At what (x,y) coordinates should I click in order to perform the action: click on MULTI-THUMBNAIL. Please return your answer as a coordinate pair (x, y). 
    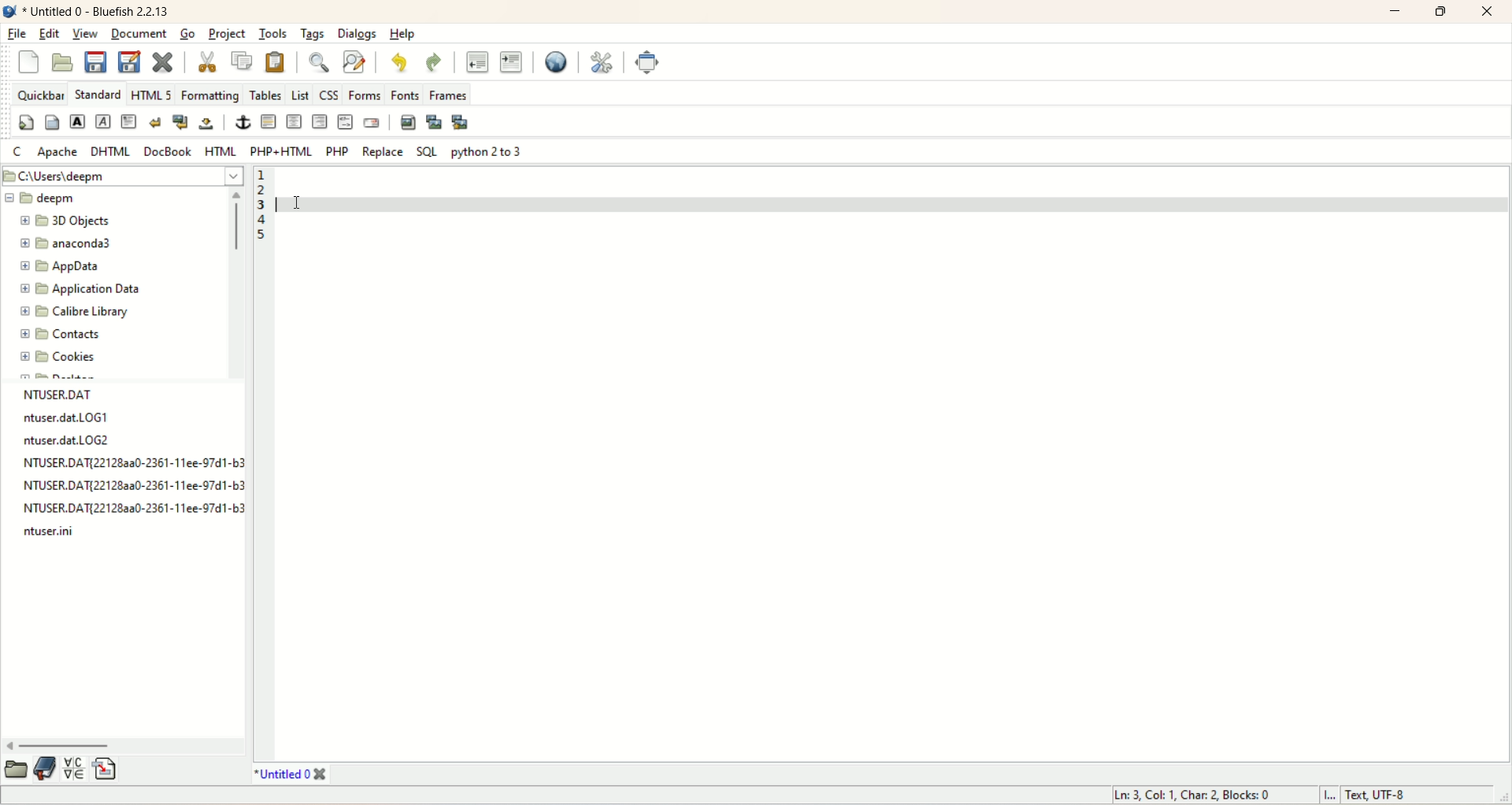
    Looking at the image, I should click on (463, 124).